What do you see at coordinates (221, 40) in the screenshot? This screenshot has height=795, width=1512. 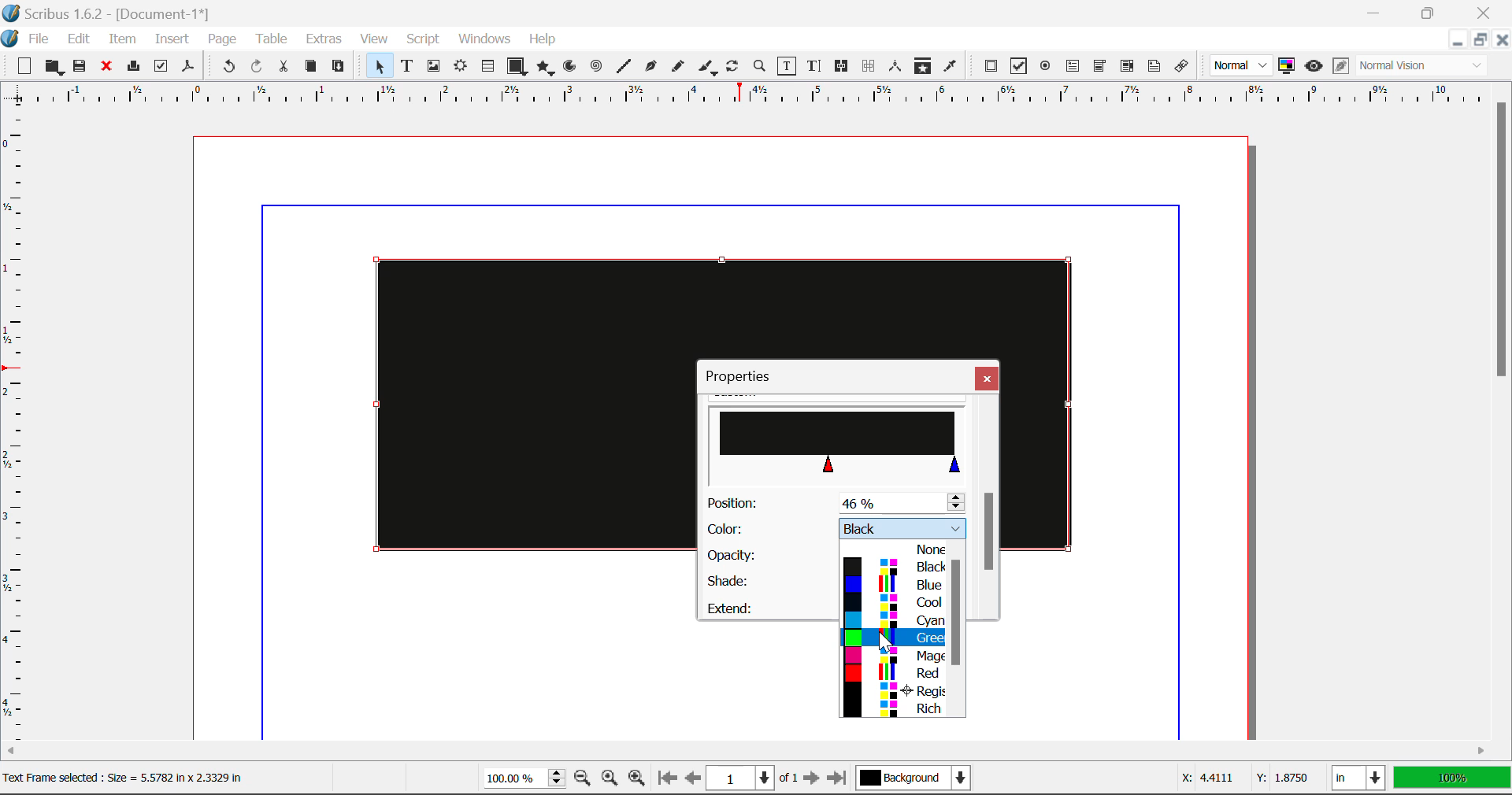 I see `Page` at bounding box center [221, 40].